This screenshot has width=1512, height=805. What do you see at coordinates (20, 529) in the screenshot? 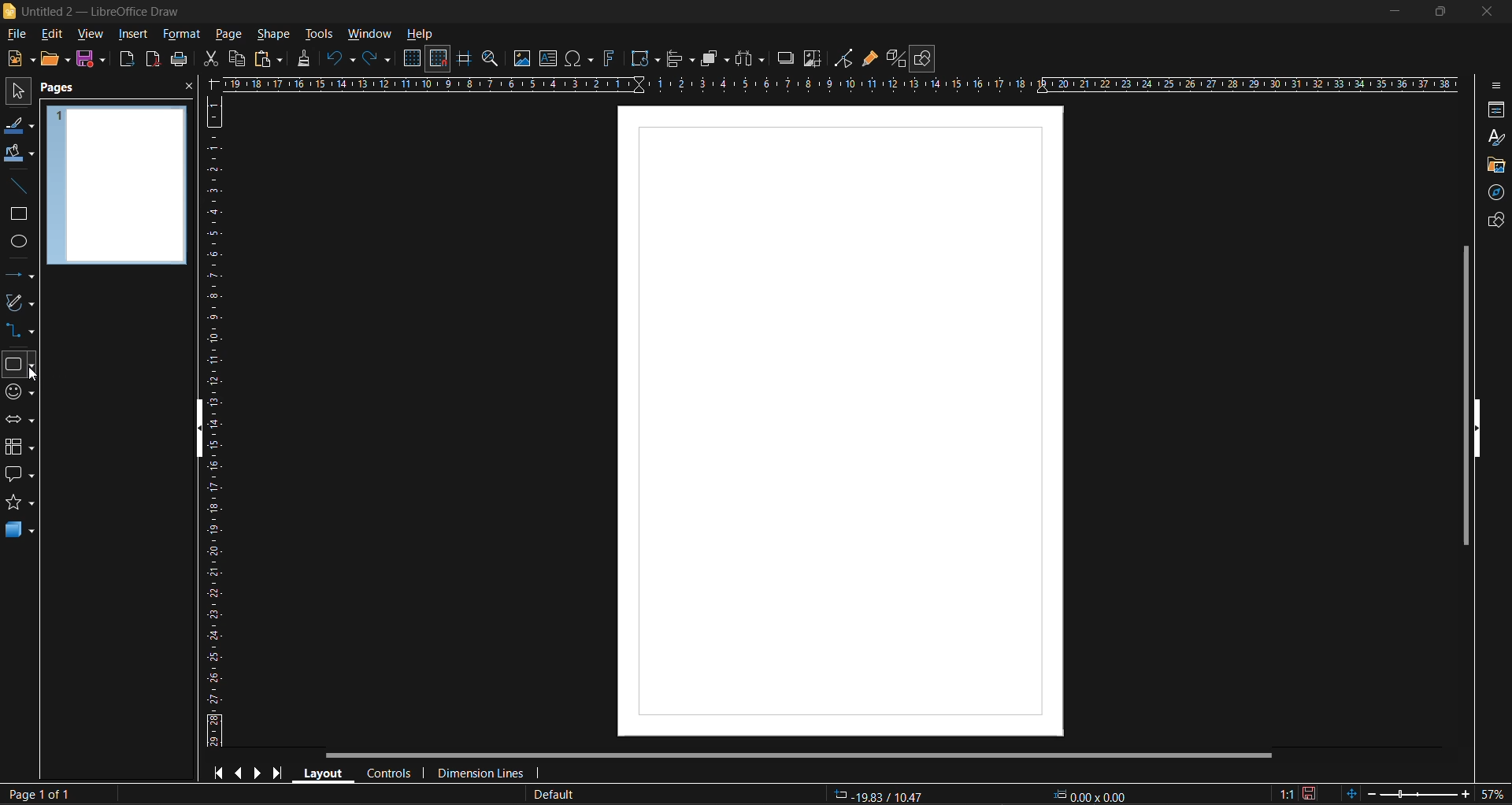
I see `3d shapes` at bounding box center [20, 529].